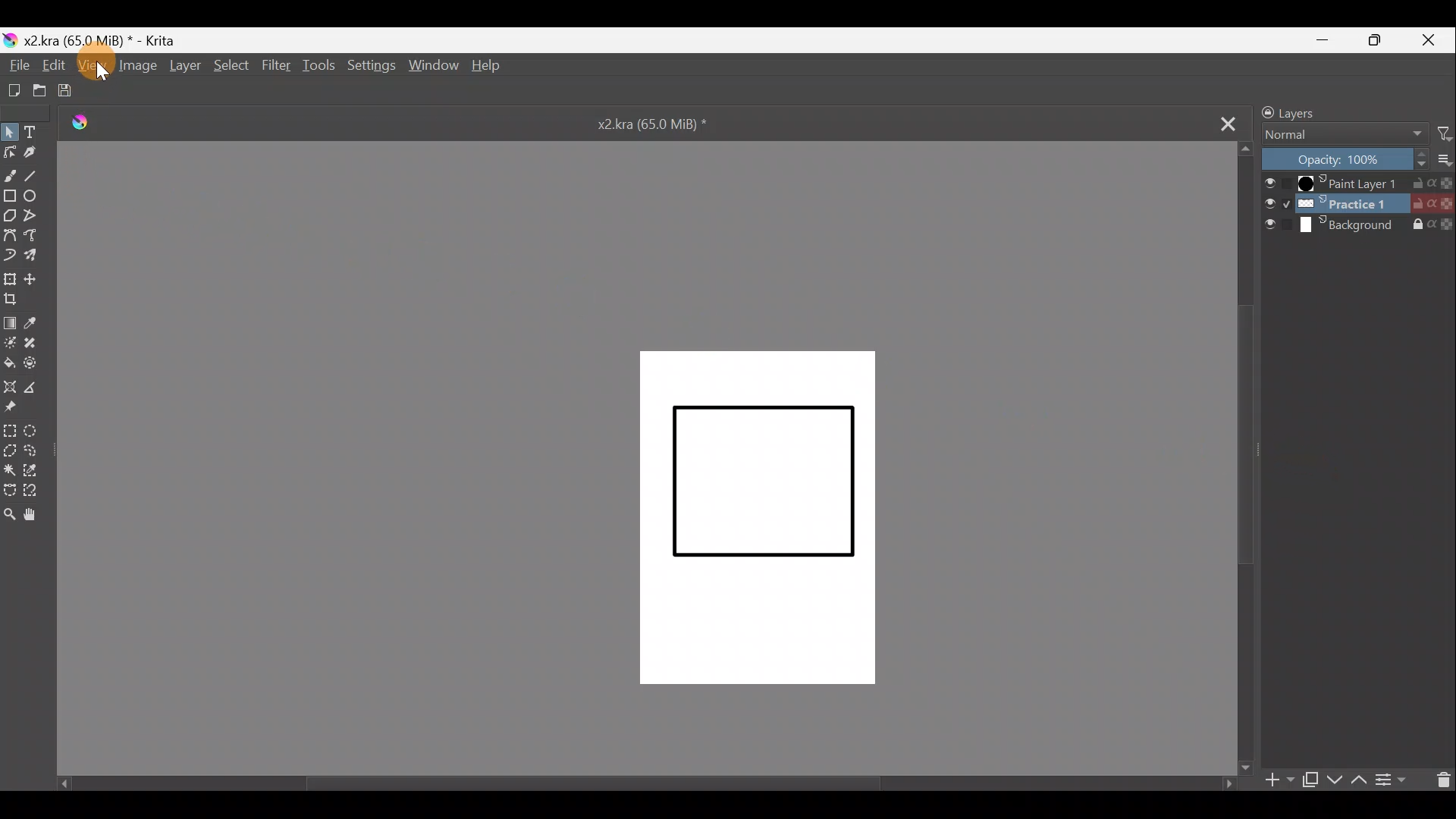 The height and width of the screenshot is (819, 1456). Describe the element at coordinates (13, 450) in the screenshot. I see `Polygonal selection tool` at that location.